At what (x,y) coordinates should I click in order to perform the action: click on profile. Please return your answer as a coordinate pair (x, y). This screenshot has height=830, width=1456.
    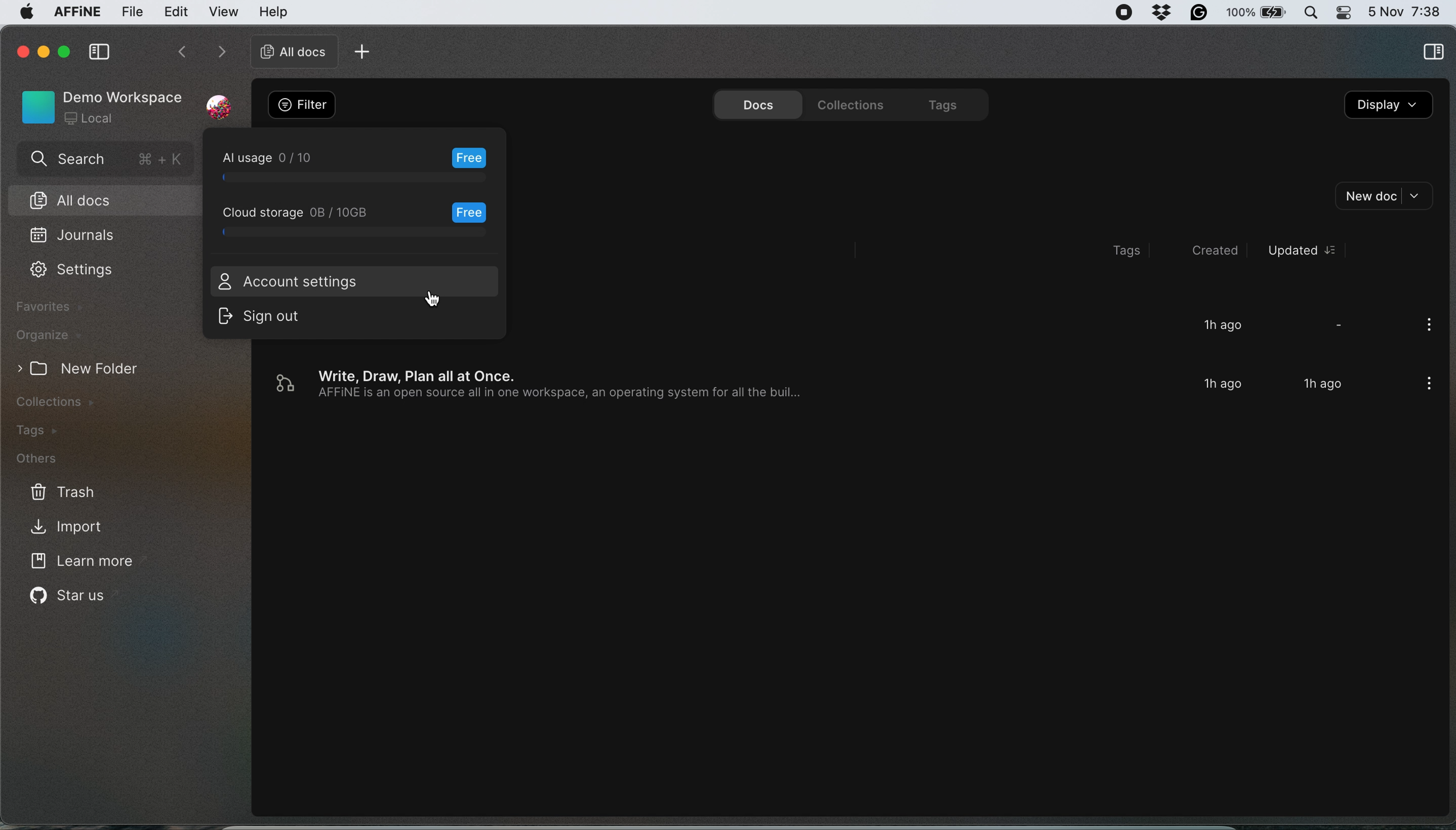
    Looking at the image, I should click on (219, 100).